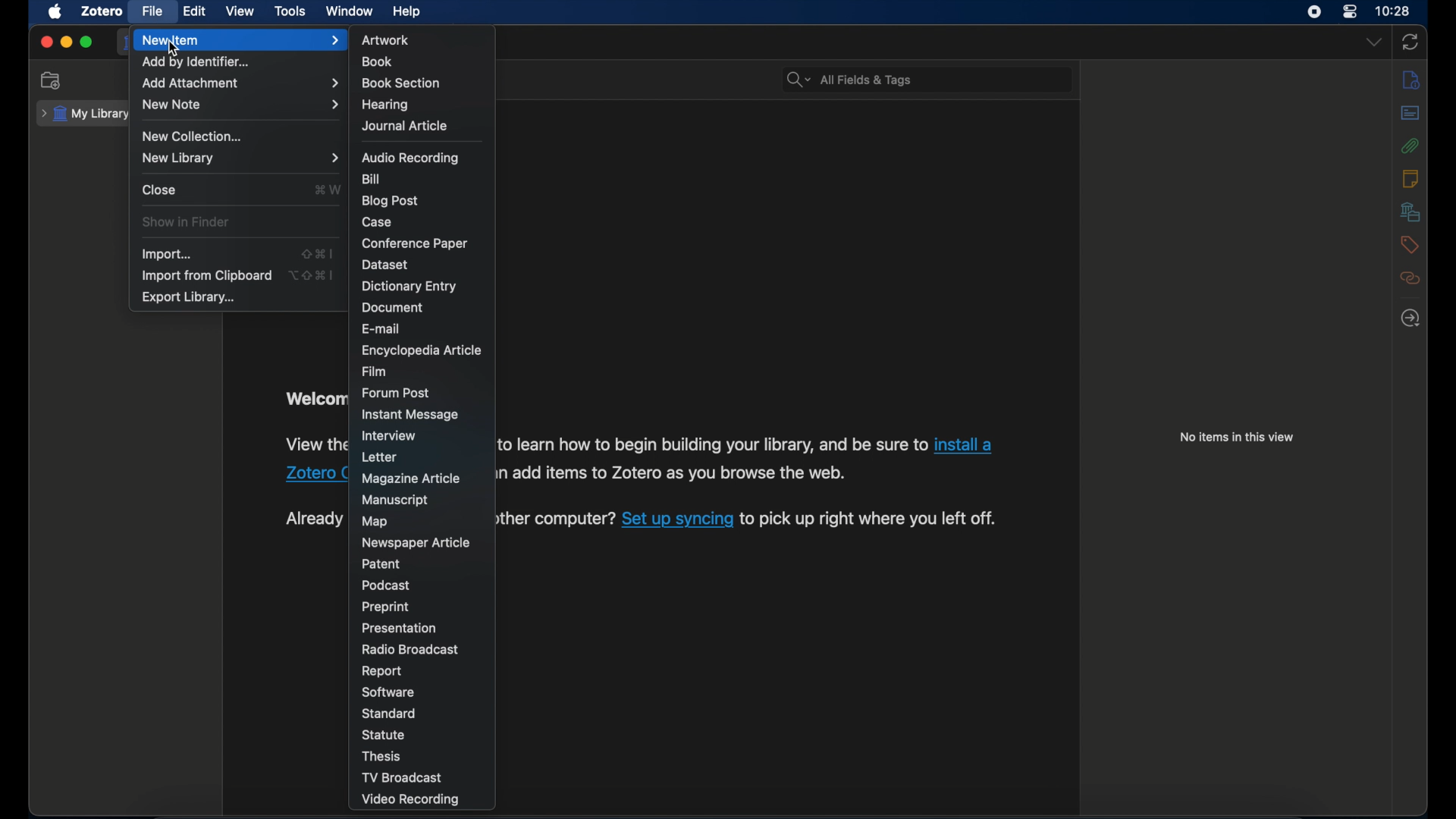 This screenshot has width=1456, height=819. Describe the element at coordinates (383, 328) in the screenshot. I see `e-mail` at that location.